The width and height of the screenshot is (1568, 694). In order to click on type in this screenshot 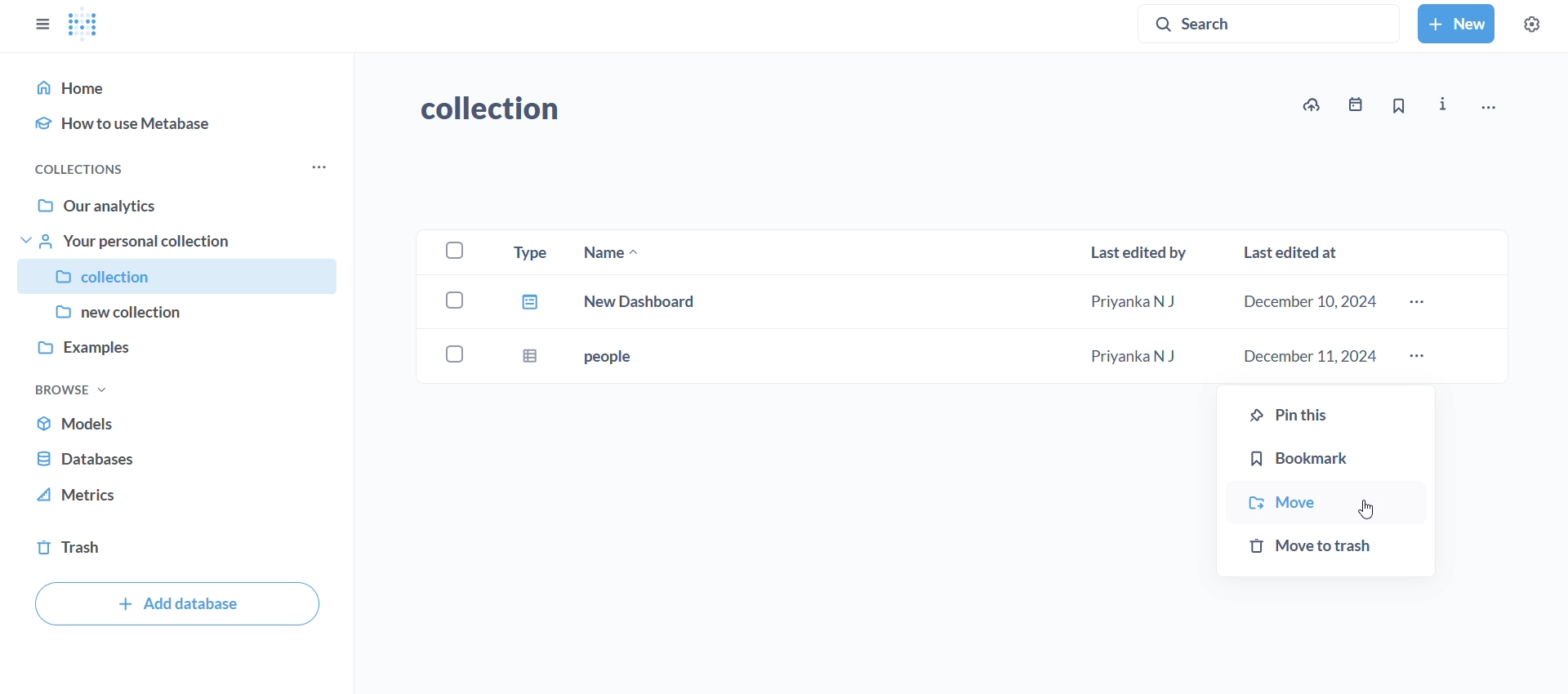, I will do `click(525, 249)`.